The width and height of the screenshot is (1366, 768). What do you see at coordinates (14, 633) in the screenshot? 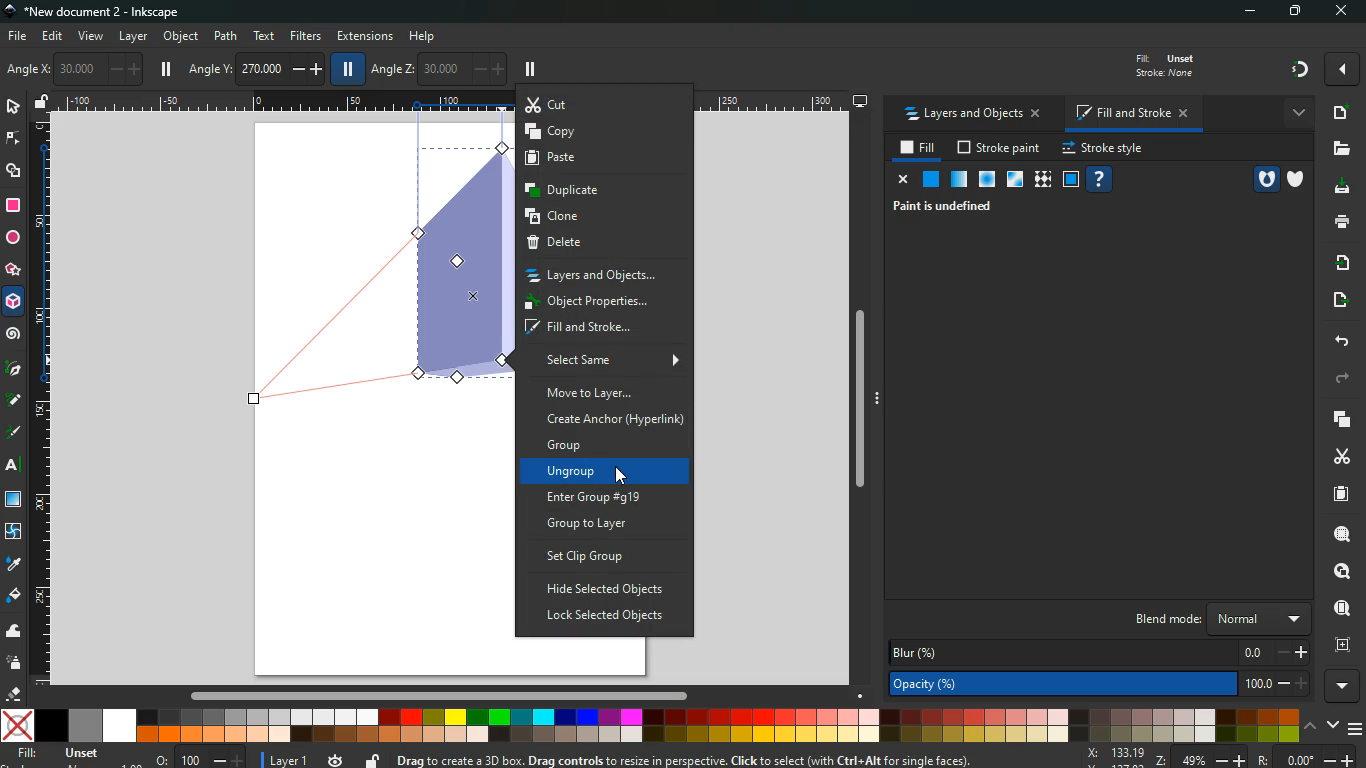
I see `wave` at bounding box center [14, 633].